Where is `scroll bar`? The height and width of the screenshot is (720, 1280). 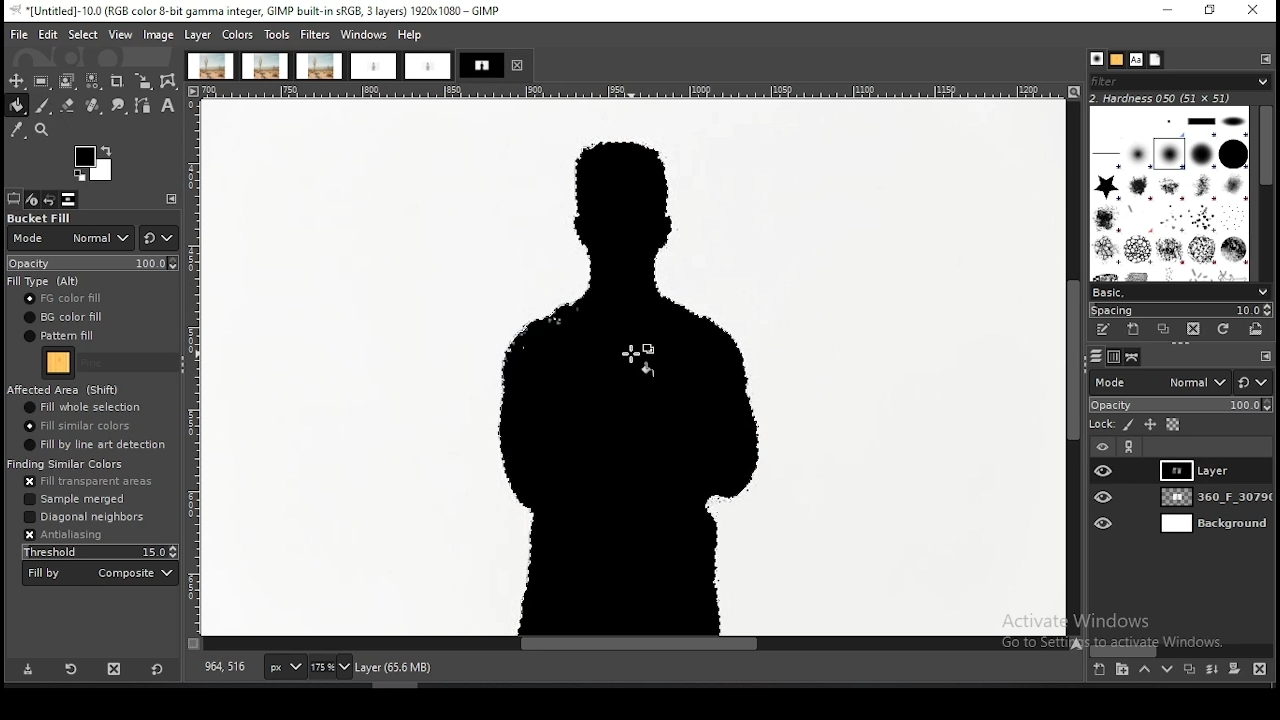 scroll bar is located at coordinates (1182, 650).